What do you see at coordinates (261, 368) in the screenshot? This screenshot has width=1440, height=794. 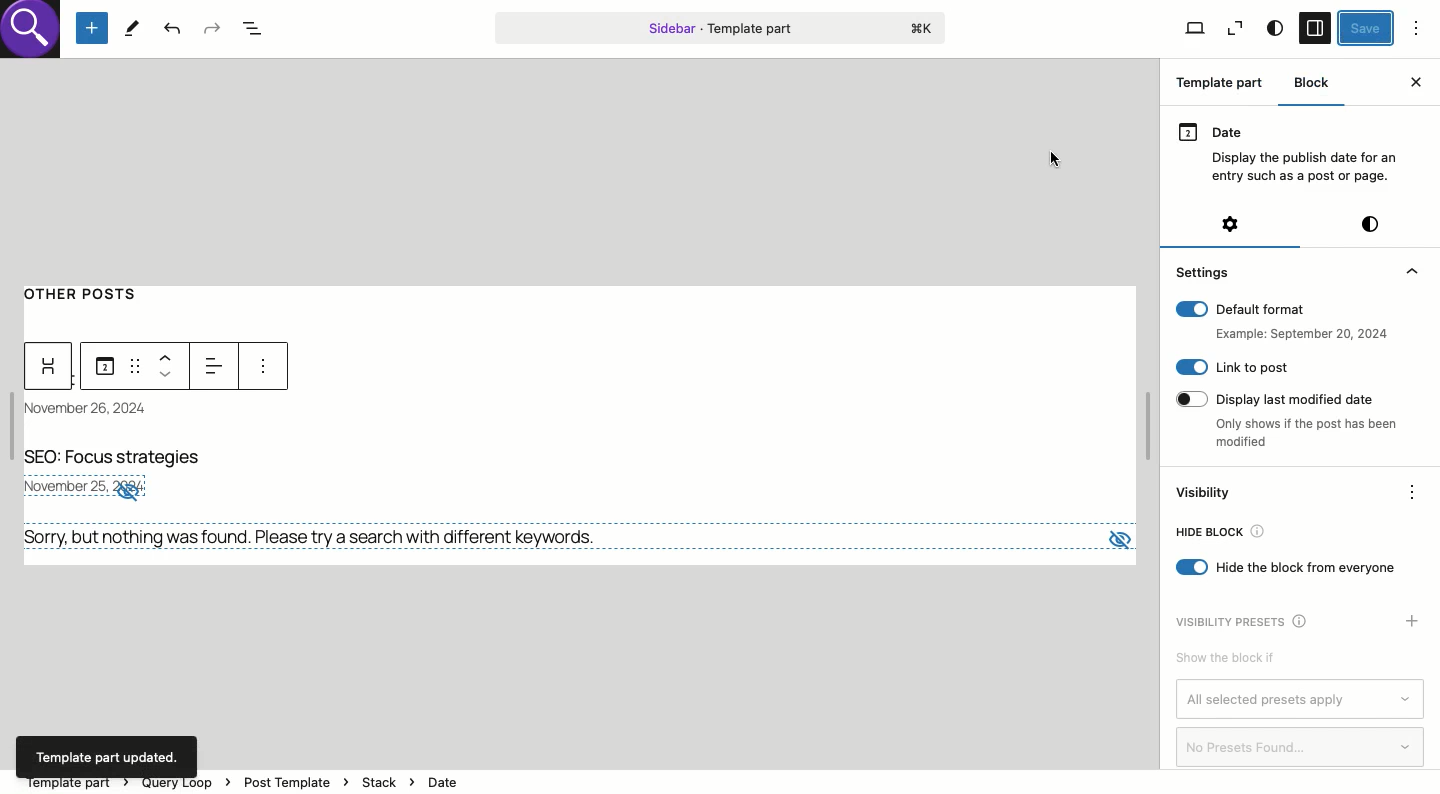 I see `more options` at bounding box center [261, 368].